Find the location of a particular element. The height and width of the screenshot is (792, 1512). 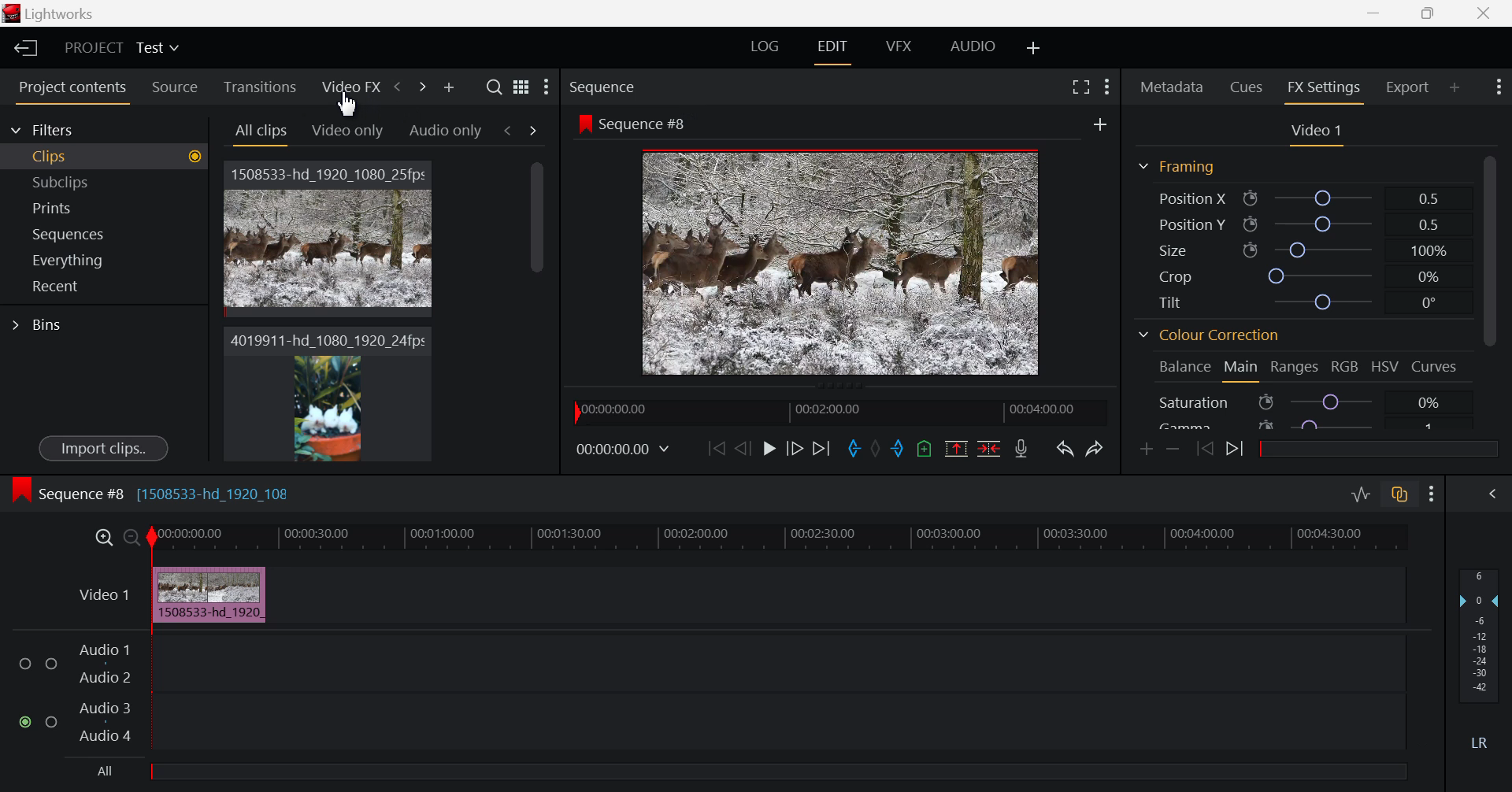

Show Settings is located at coordinates (1106, 87).